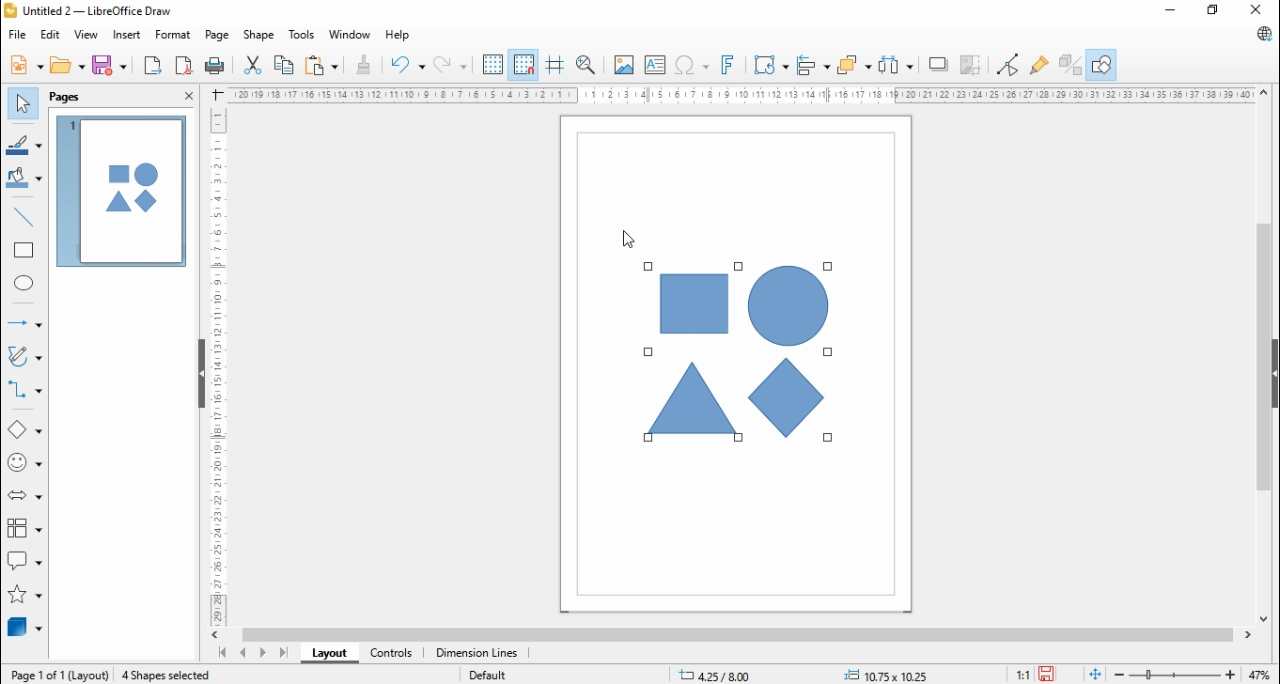 This screenshot has width=1280, height=684. What do you see at coordinates (216, 36) in the screenshot?
I see `page` at bounding box center [216, 36].